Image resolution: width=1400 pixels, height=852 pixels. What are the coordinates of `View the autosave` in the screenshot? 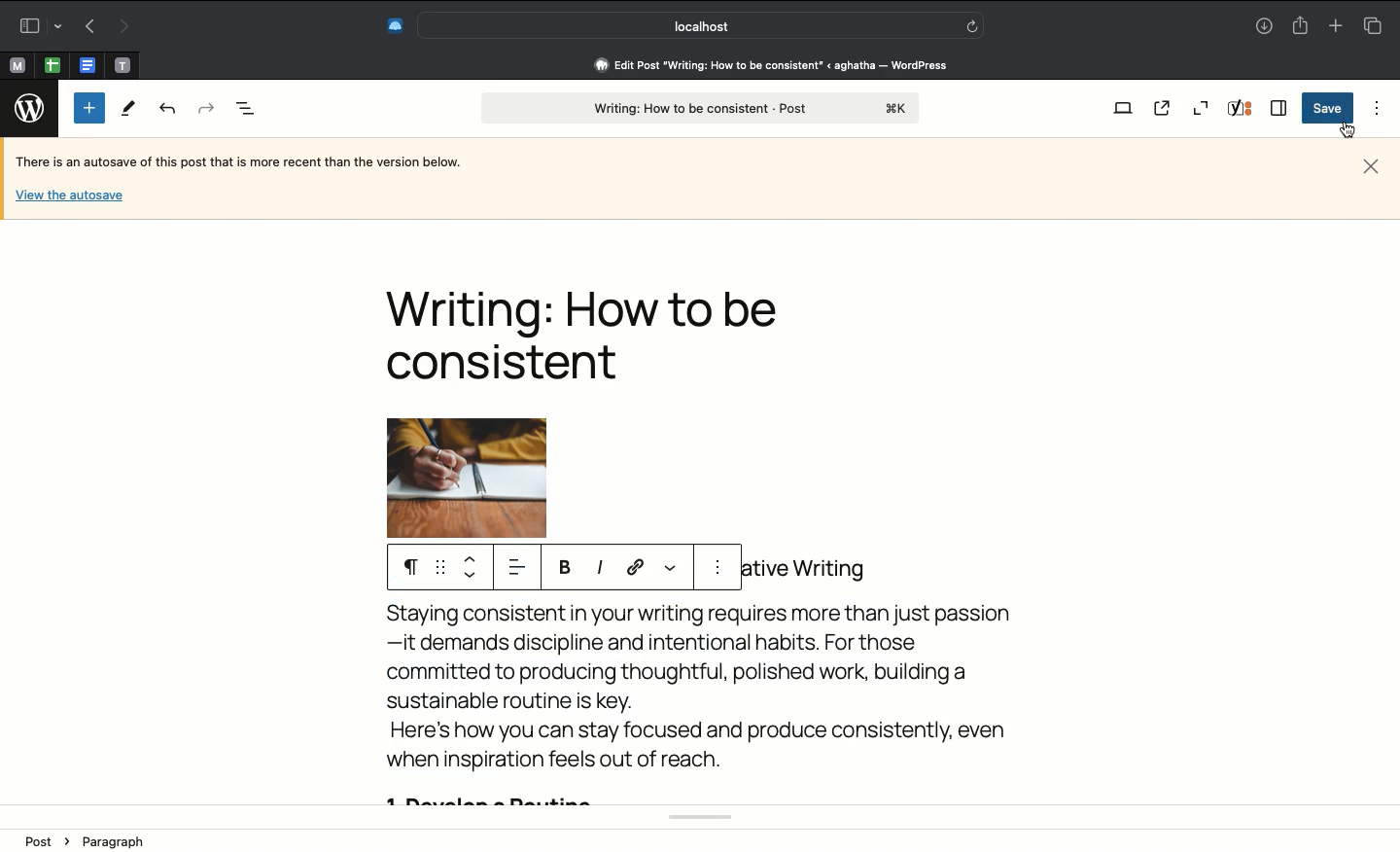 It's located at (69, 194).